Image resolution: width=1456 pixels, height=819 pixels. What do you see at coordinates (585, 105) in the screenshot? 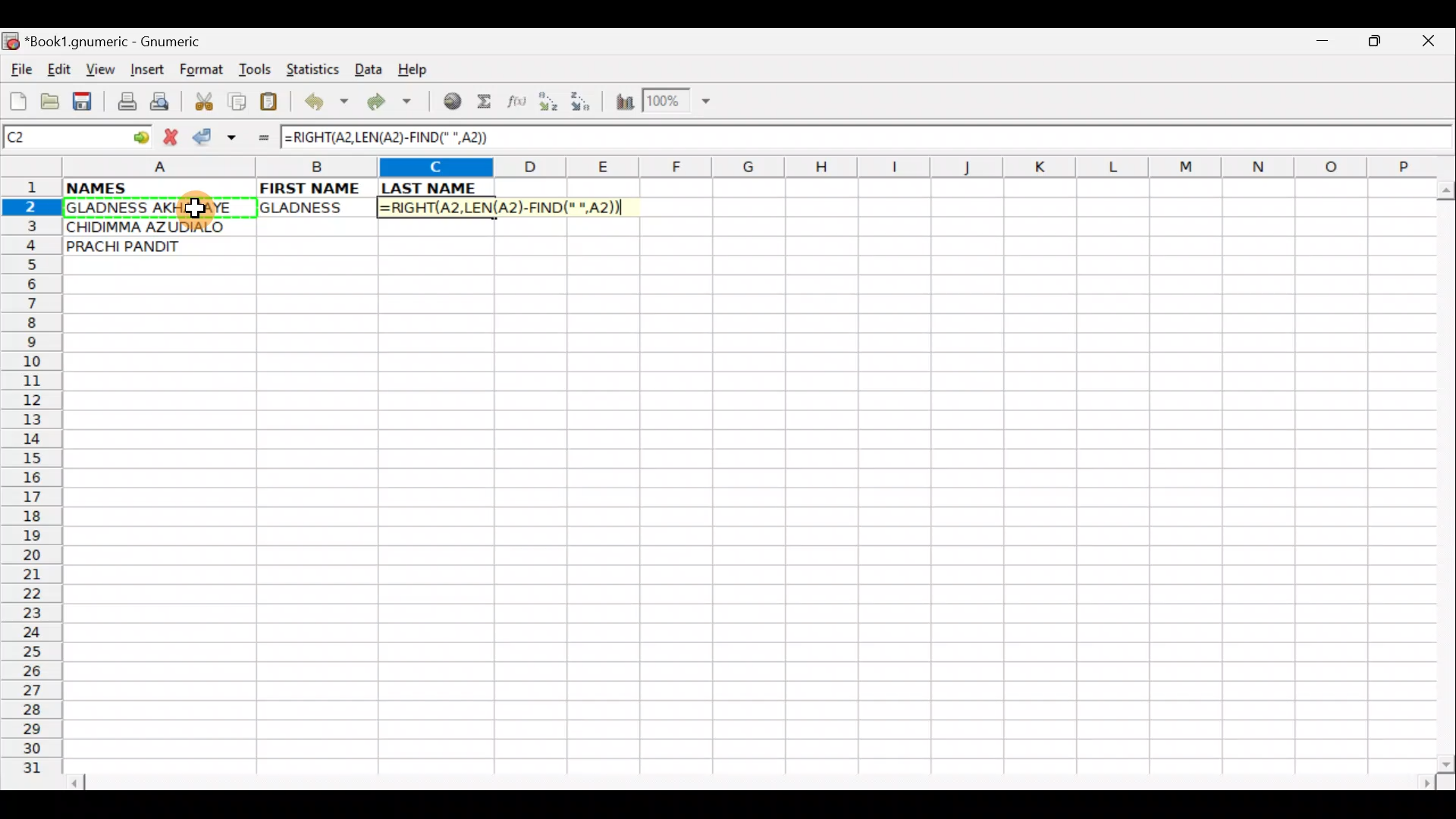
I see `Sort Descending order` at bounding box center [585, 105].